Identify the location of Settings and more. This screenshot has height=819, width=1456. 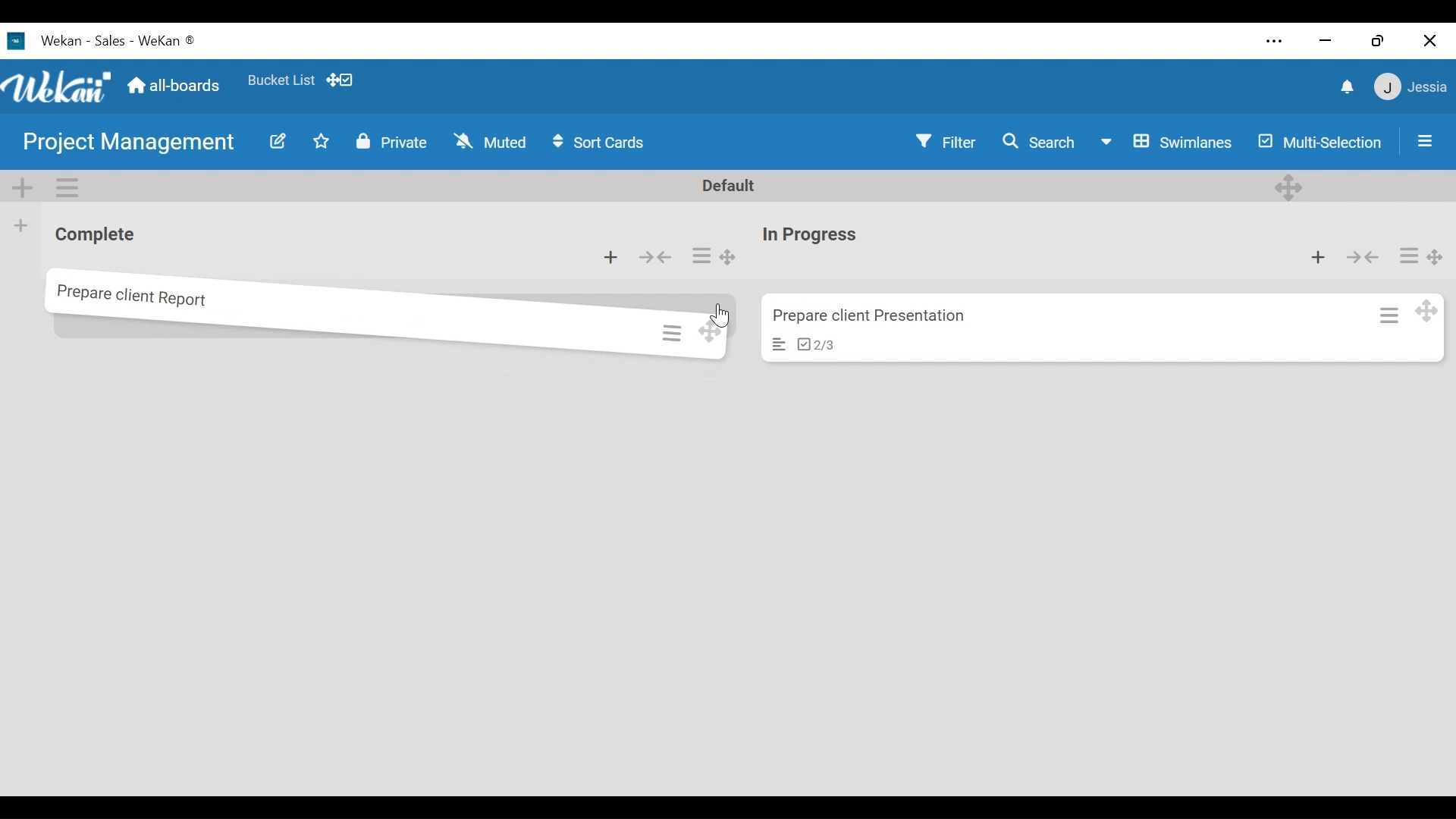
(1268, 39).